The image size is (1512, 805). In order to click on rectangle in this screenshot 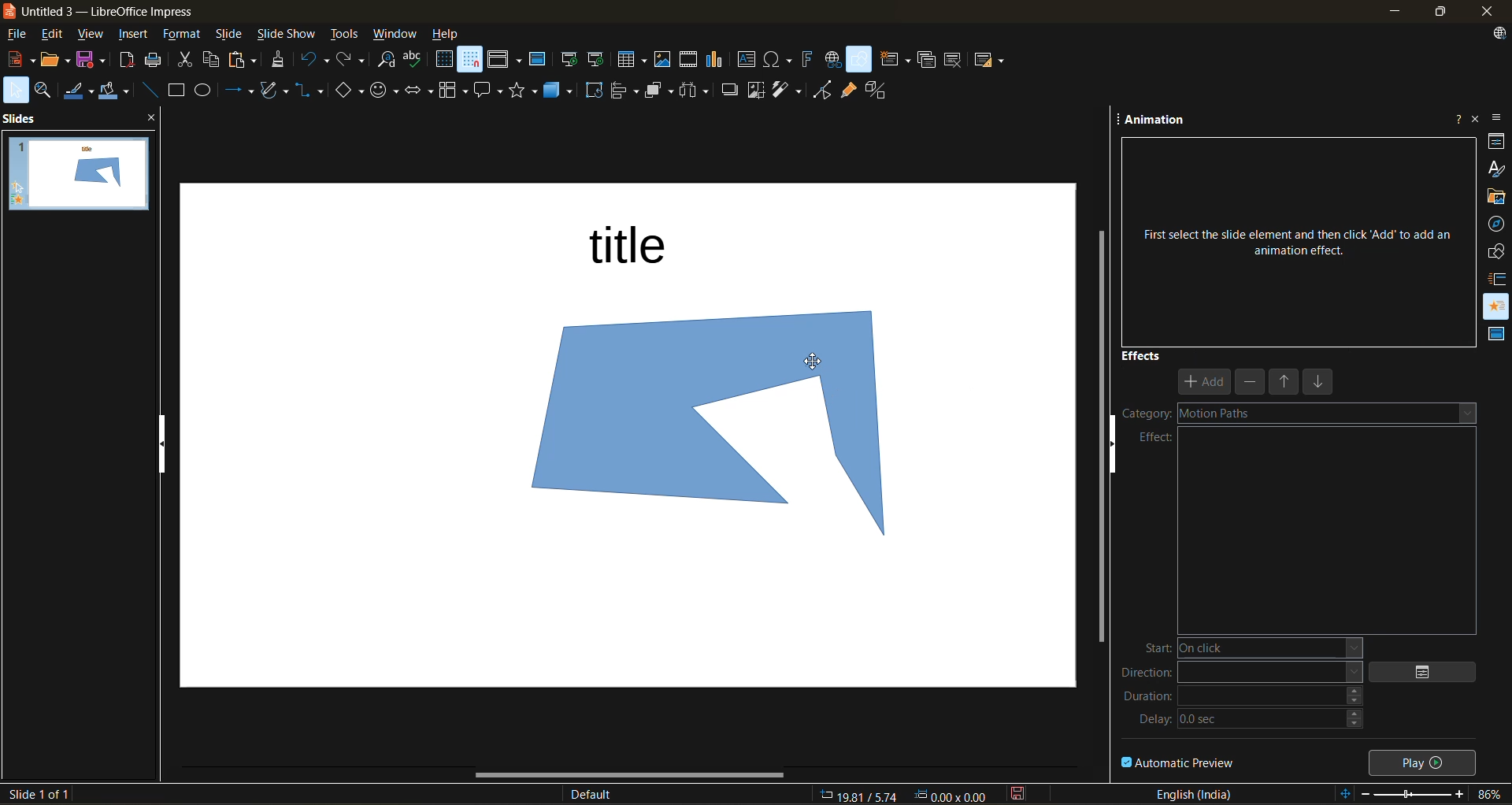, I will do `click(175, 90)`.